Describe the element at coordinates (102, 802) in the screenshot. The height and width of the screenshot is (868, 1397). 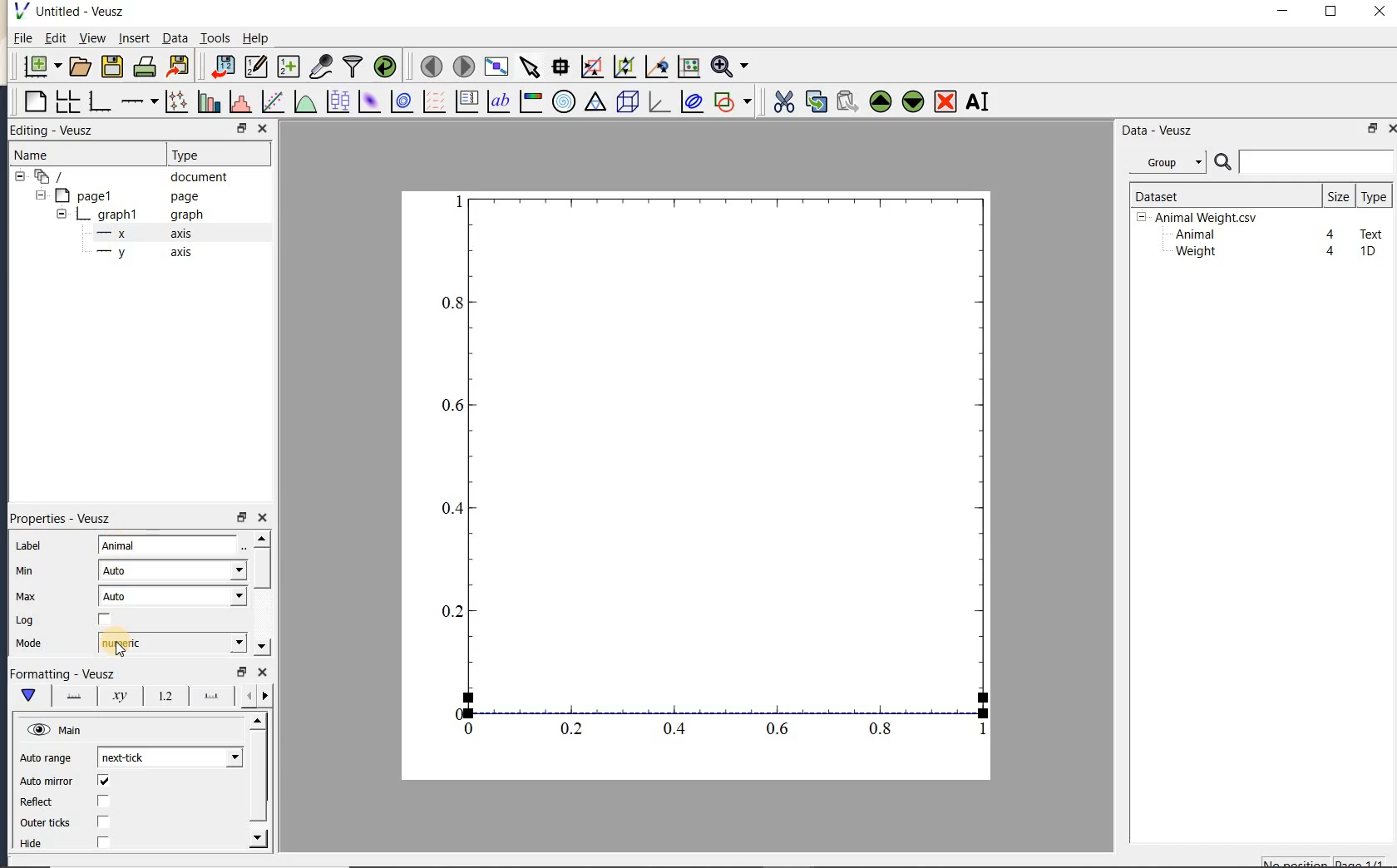
I see `check/uncheck` at that location.